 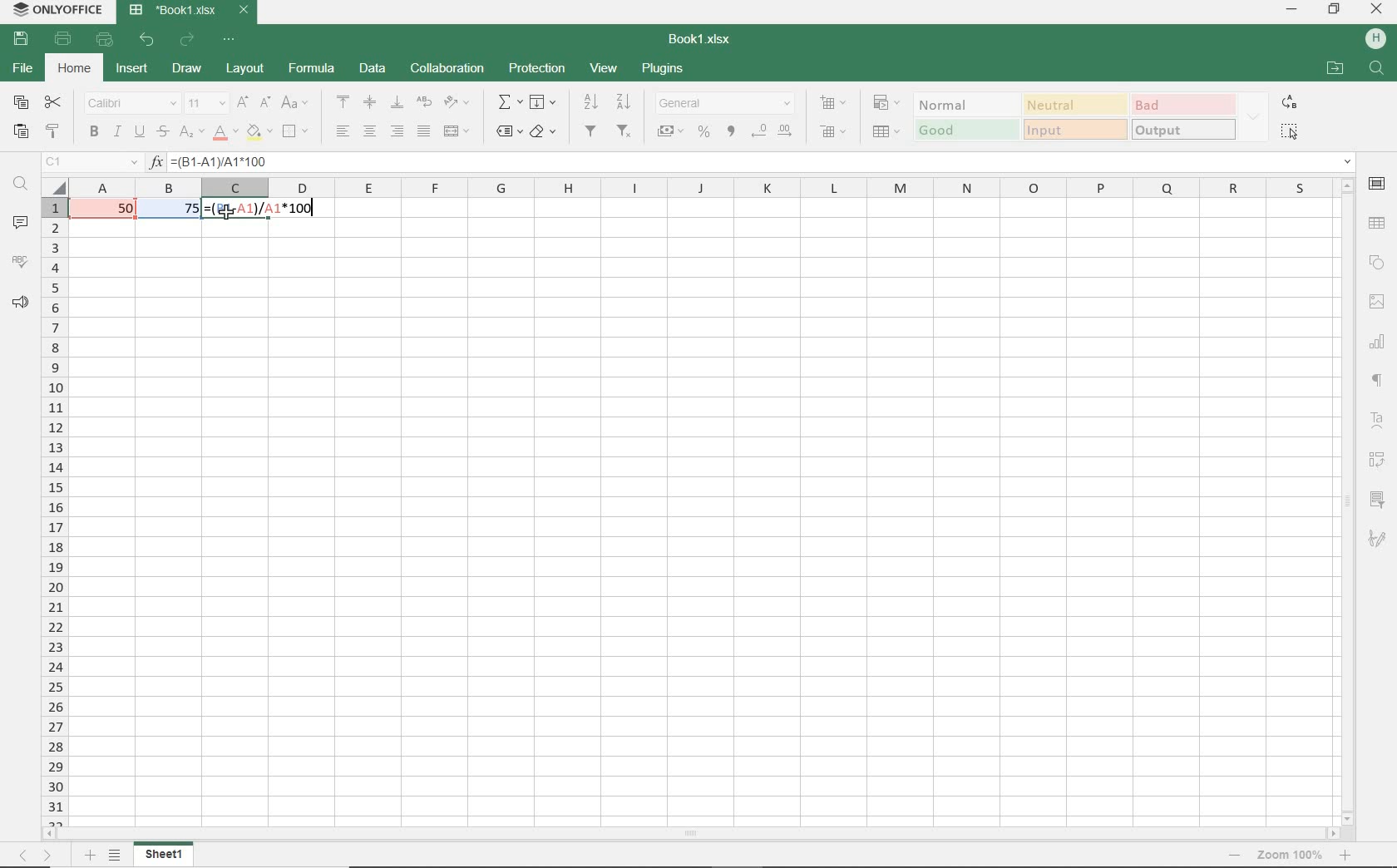 What do you see at coordinates (19, 303) in the screenshot?
I see `feedback & support` at bounding box center [19, 303].